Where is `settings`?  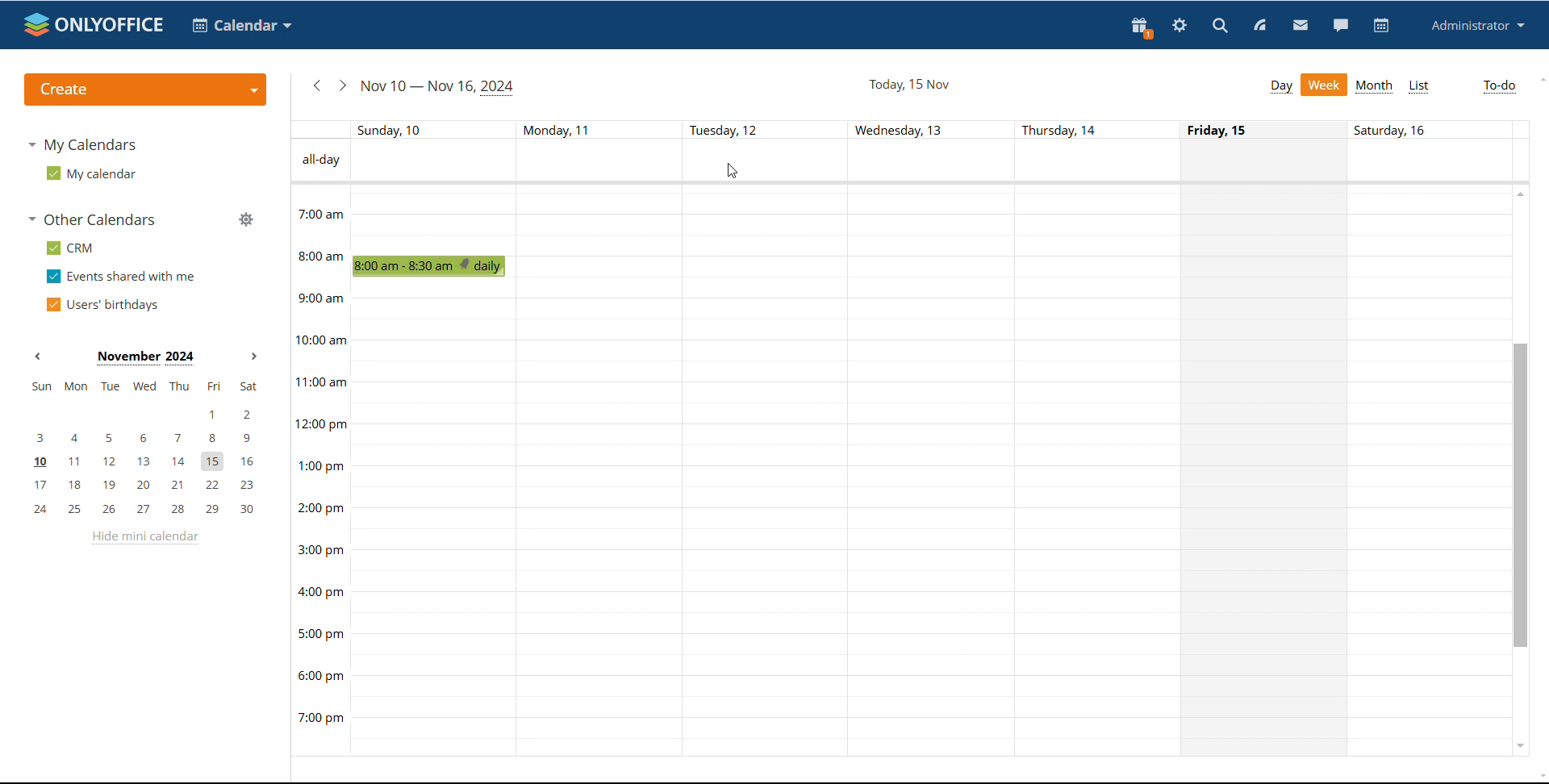
settings is located at coordinates (1179, 25).